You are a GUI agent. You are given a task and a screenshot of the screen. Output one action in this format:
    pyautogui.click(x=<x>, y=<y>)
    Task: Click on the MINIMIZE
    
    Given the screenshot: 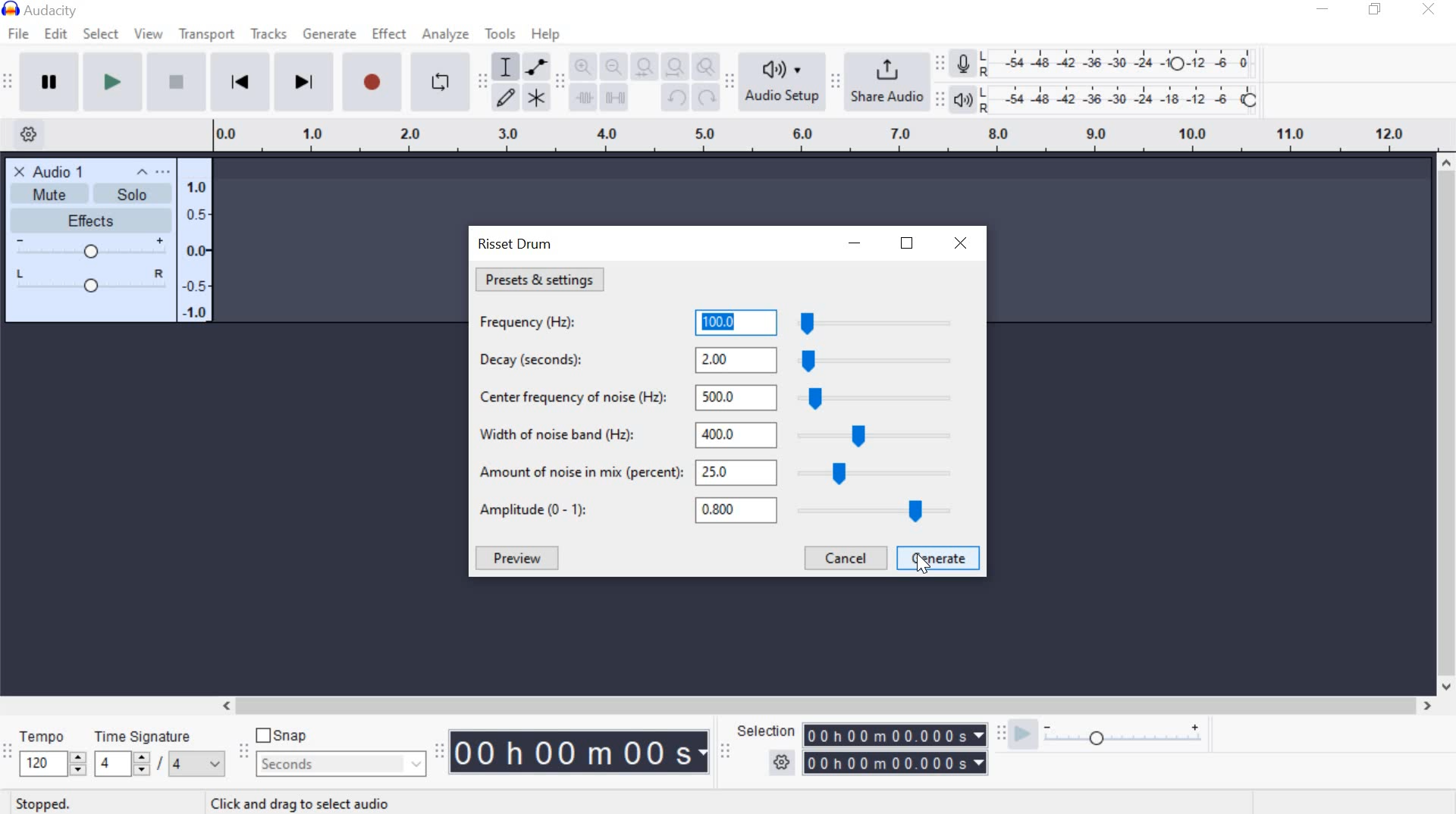 What is the action you would take?
    pyautogui.click(x=856, y=244)
    